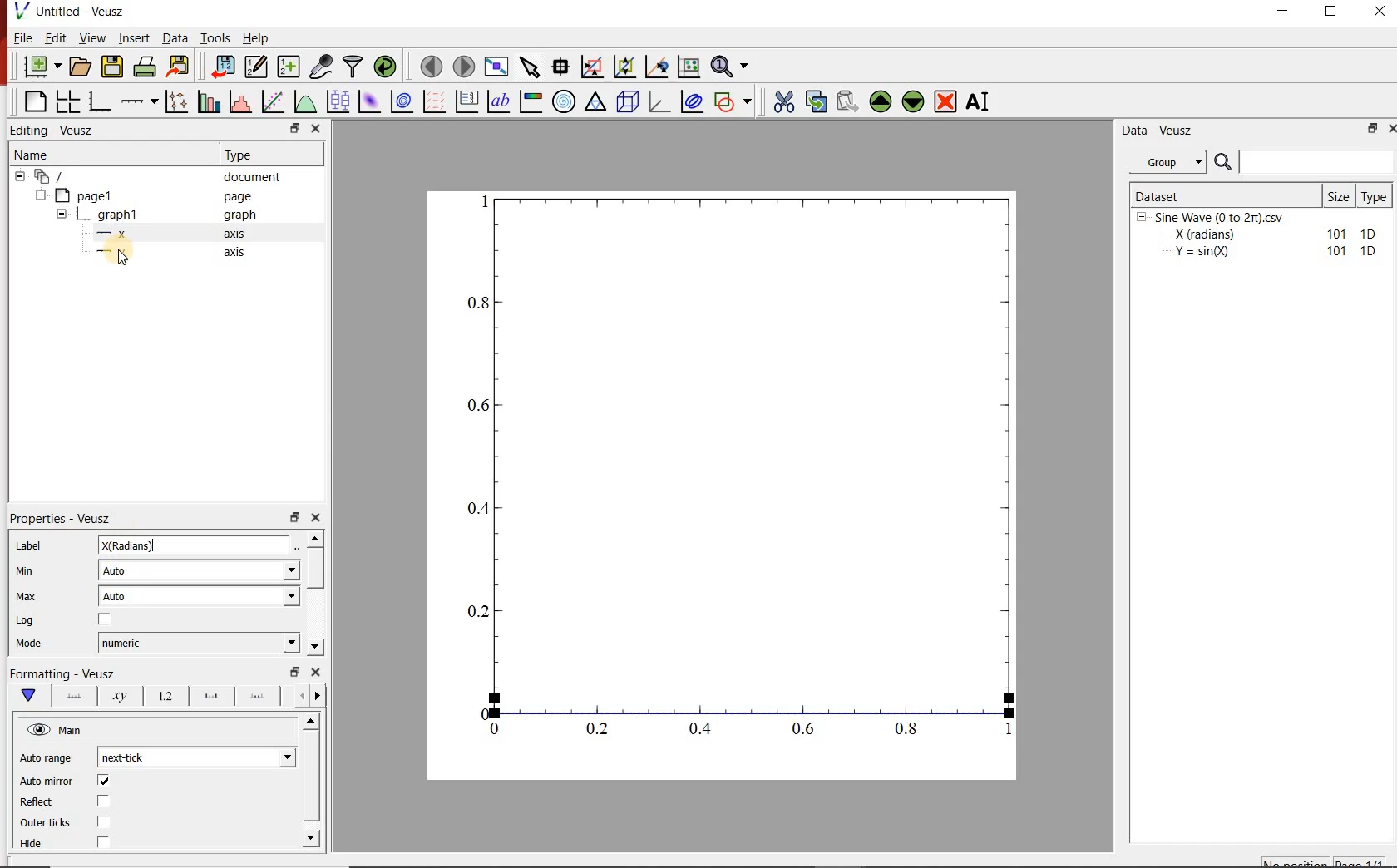  I want to click on go to next page, so click(464, 65).